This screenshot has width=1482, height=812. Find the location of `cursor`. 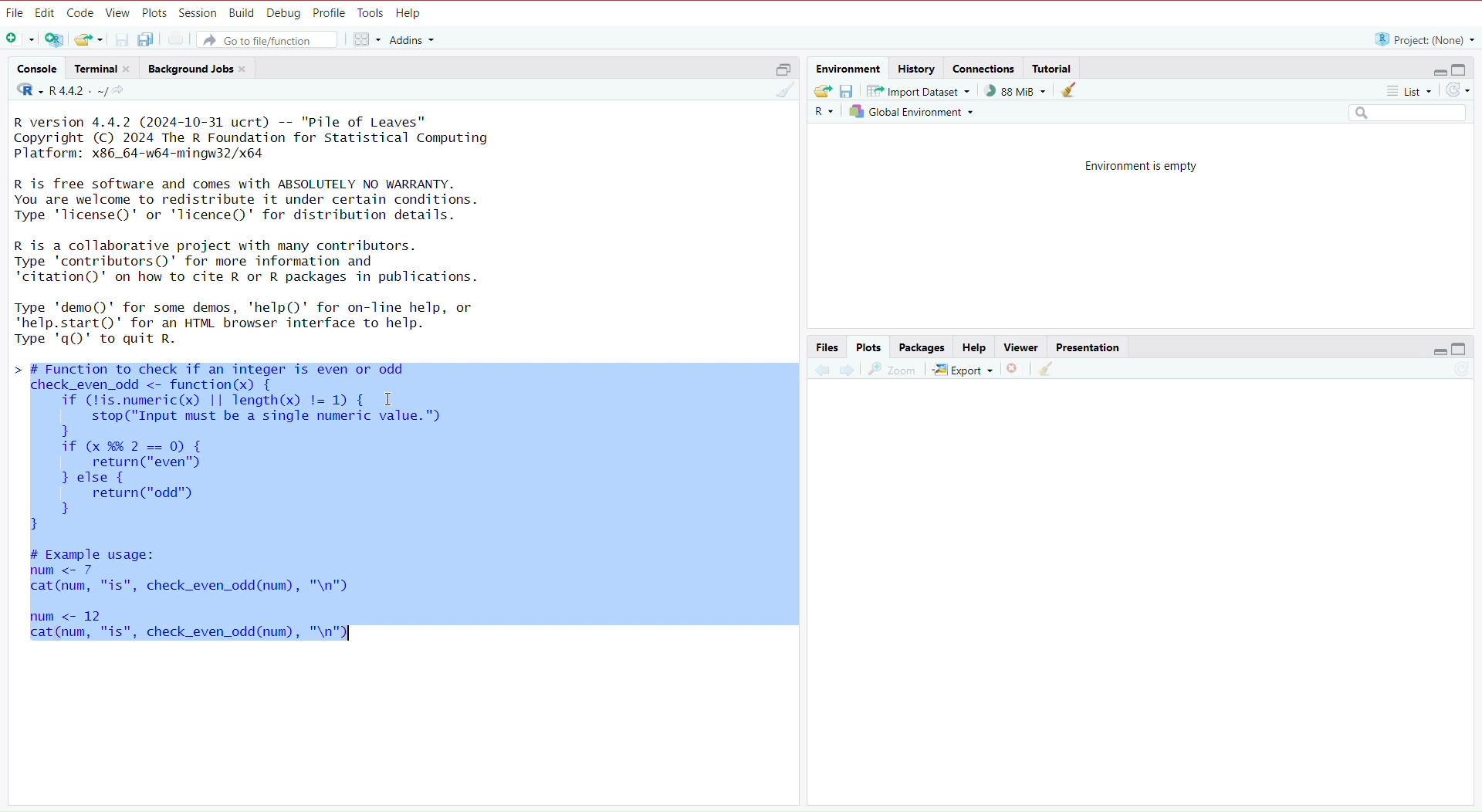

cursor is located at coordinates (387, 401).